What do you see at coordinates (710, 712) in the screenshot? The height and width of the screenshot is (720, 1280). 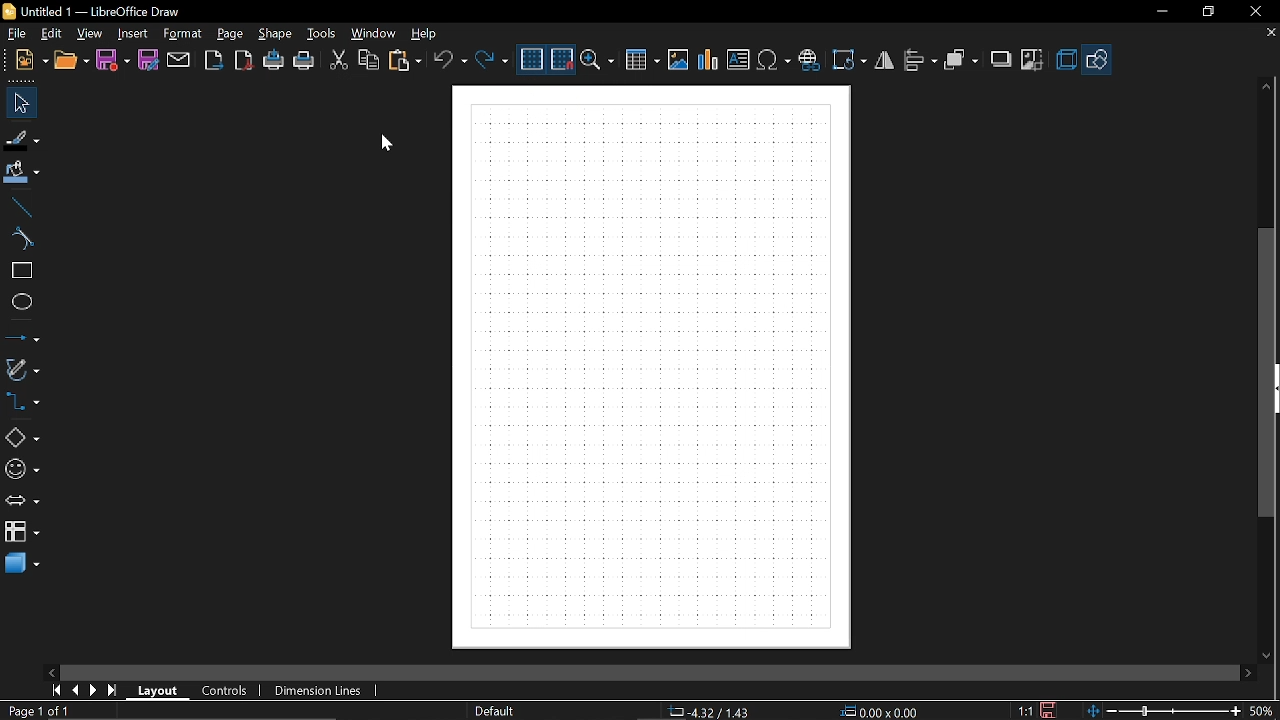 I see `co-ordinates` at bounding box center [710, 712].